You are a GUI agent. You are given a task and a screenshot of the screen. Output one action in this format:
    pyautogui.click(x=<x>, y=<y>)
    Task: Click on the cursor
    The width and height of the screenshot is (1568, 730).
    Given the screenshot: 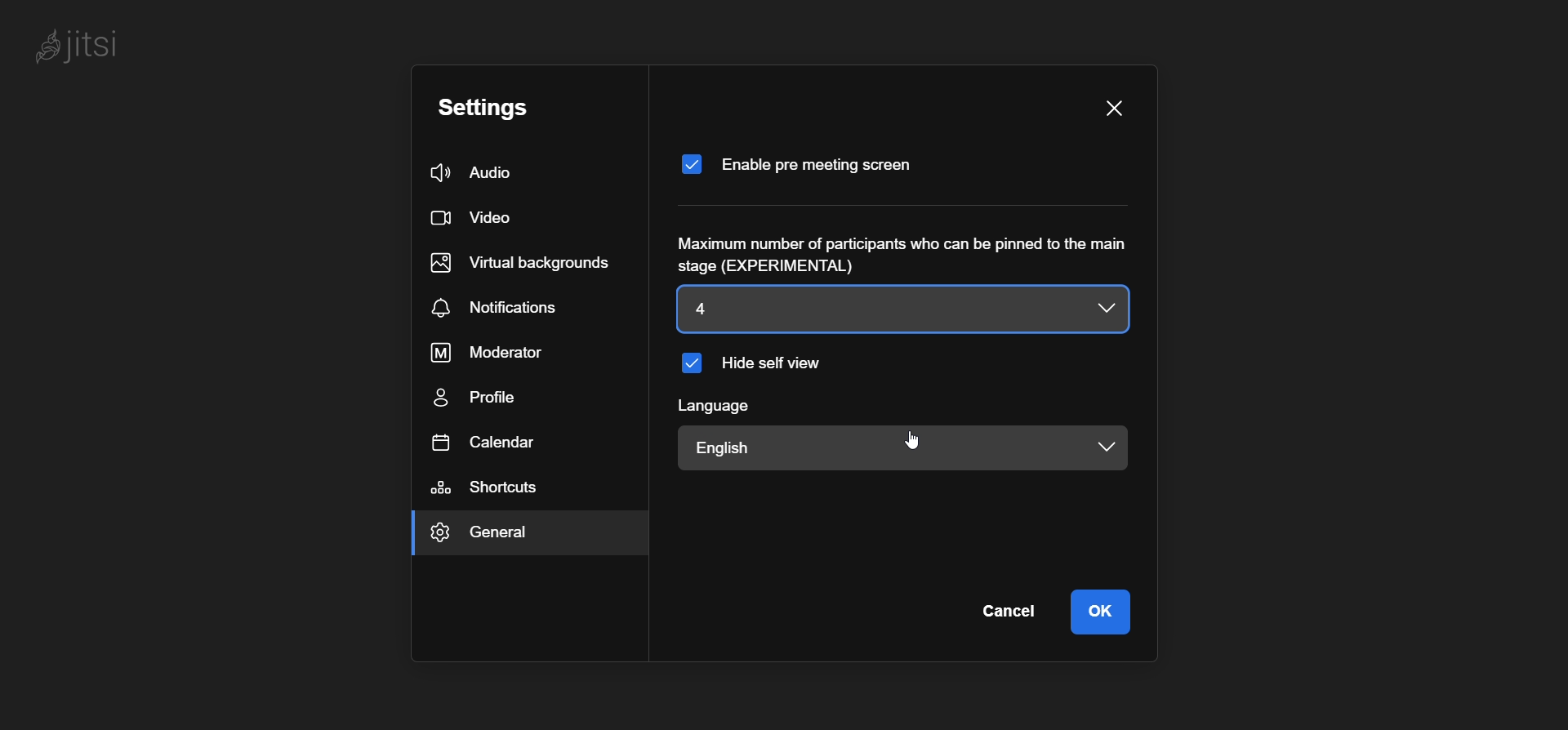 What is the action you would take?
    pyautogui.click(x=915, y=443)
    